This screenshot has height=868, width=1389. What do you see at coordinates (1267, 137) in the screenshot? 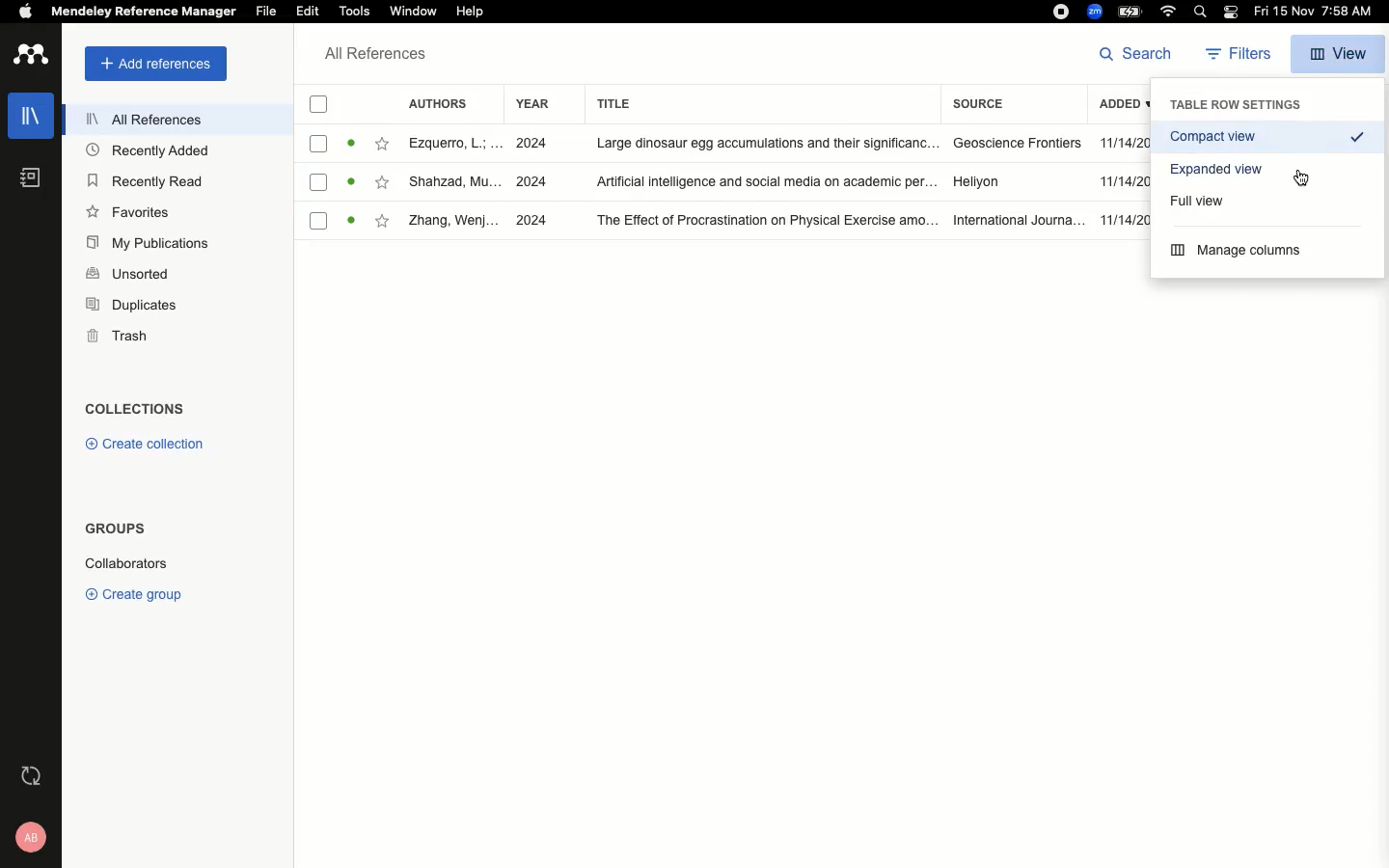
I see `Compact view` at bounding box center [1267, 137].